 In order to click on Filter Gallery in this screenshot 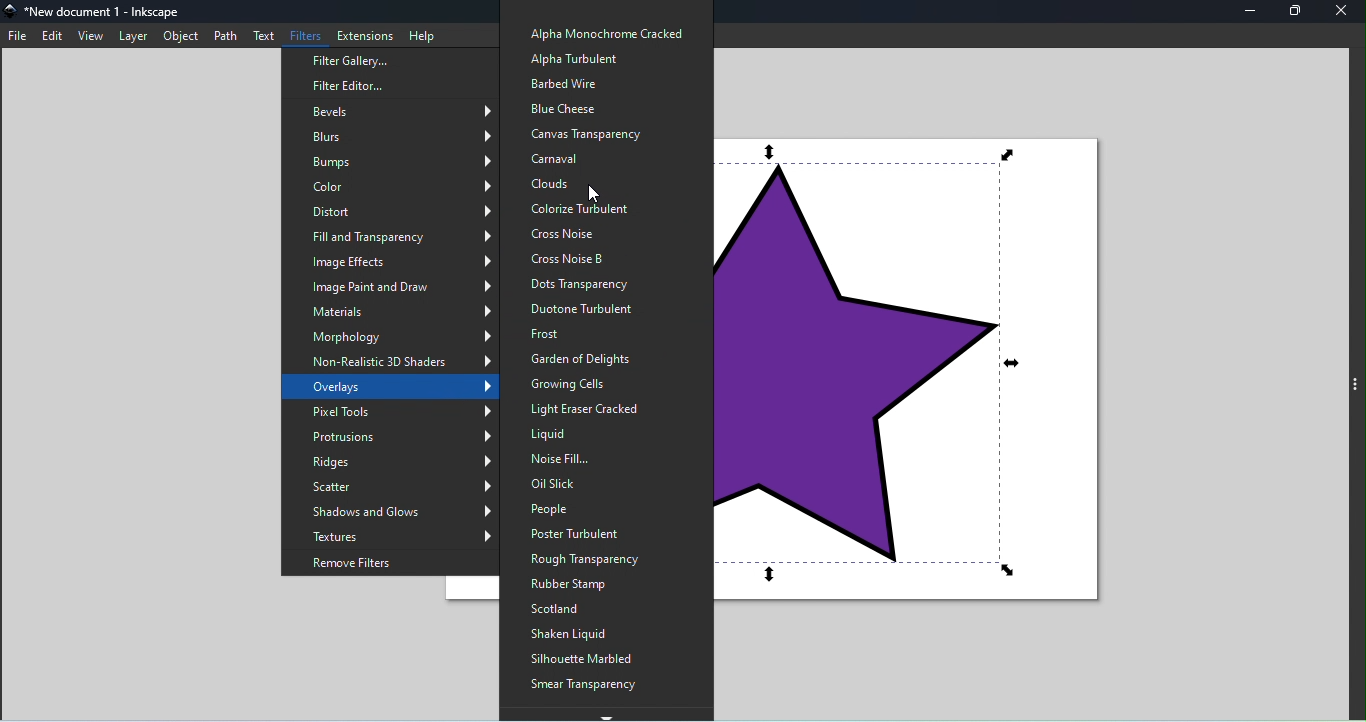, I will do `click(384, 61)`.